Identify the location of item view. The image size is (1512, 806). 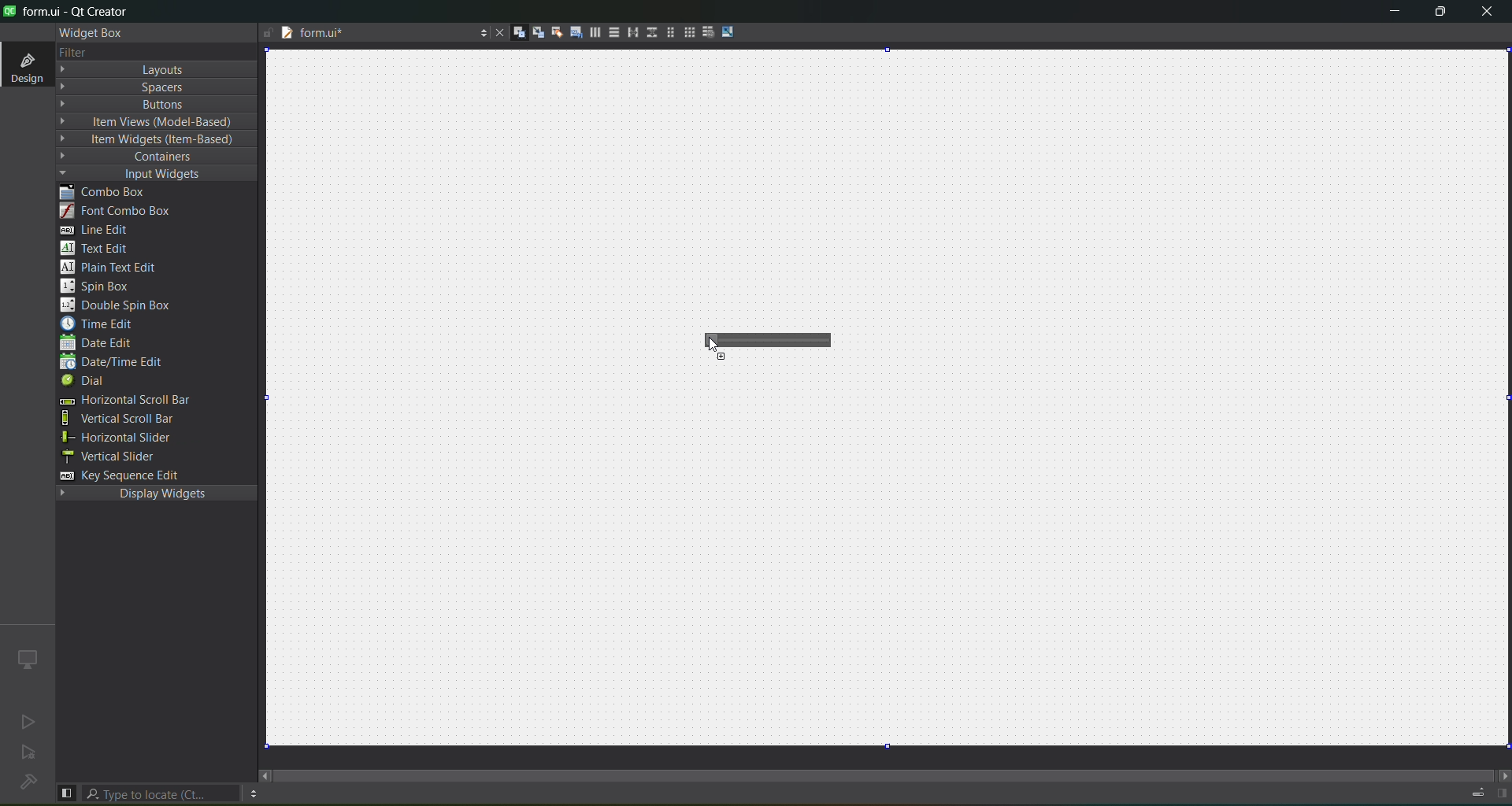
(150, 123).